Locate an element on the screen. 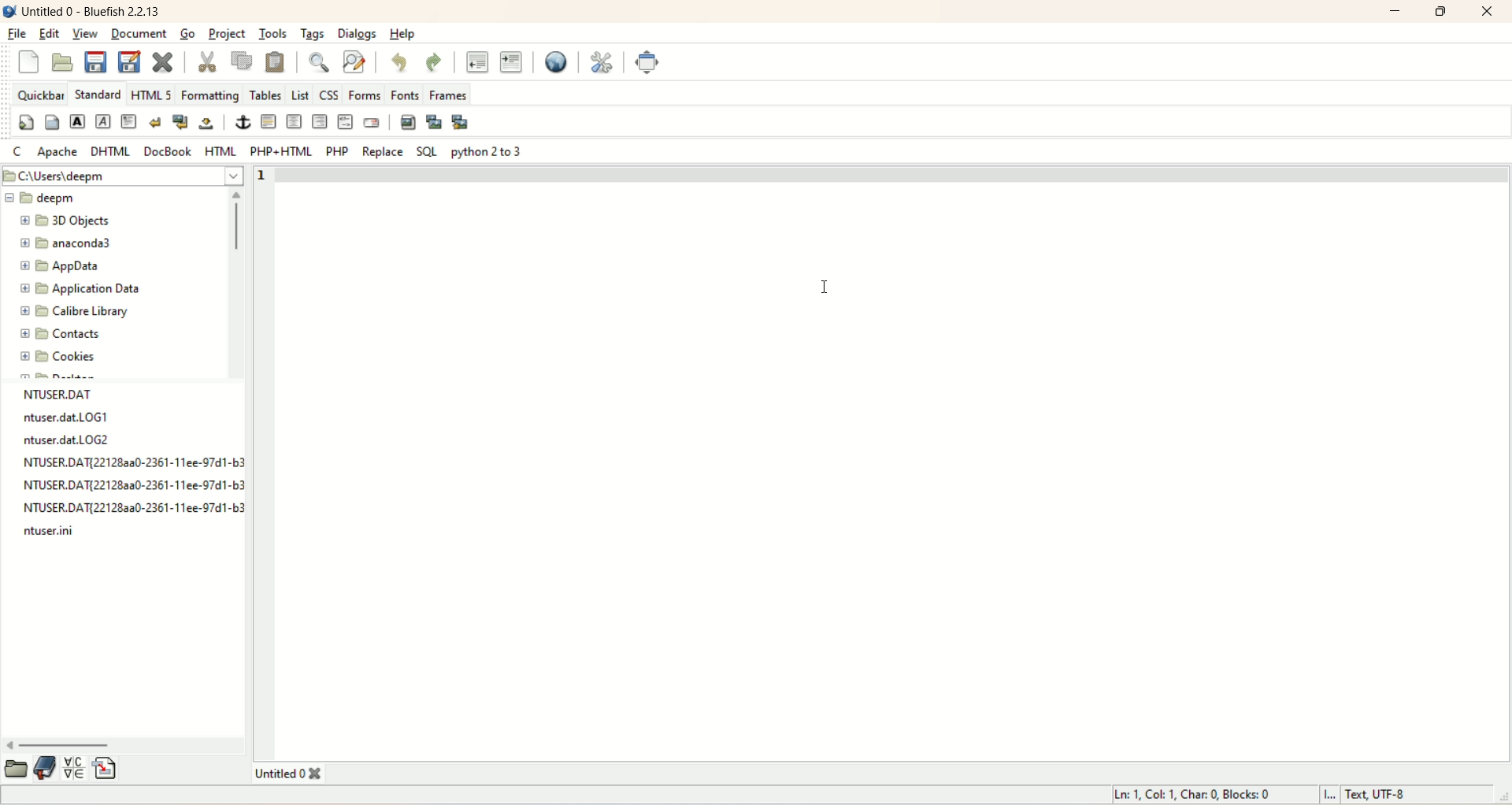 The height and width of the screenshot is (805, 1512). tags is located at coordinates (313, 35).